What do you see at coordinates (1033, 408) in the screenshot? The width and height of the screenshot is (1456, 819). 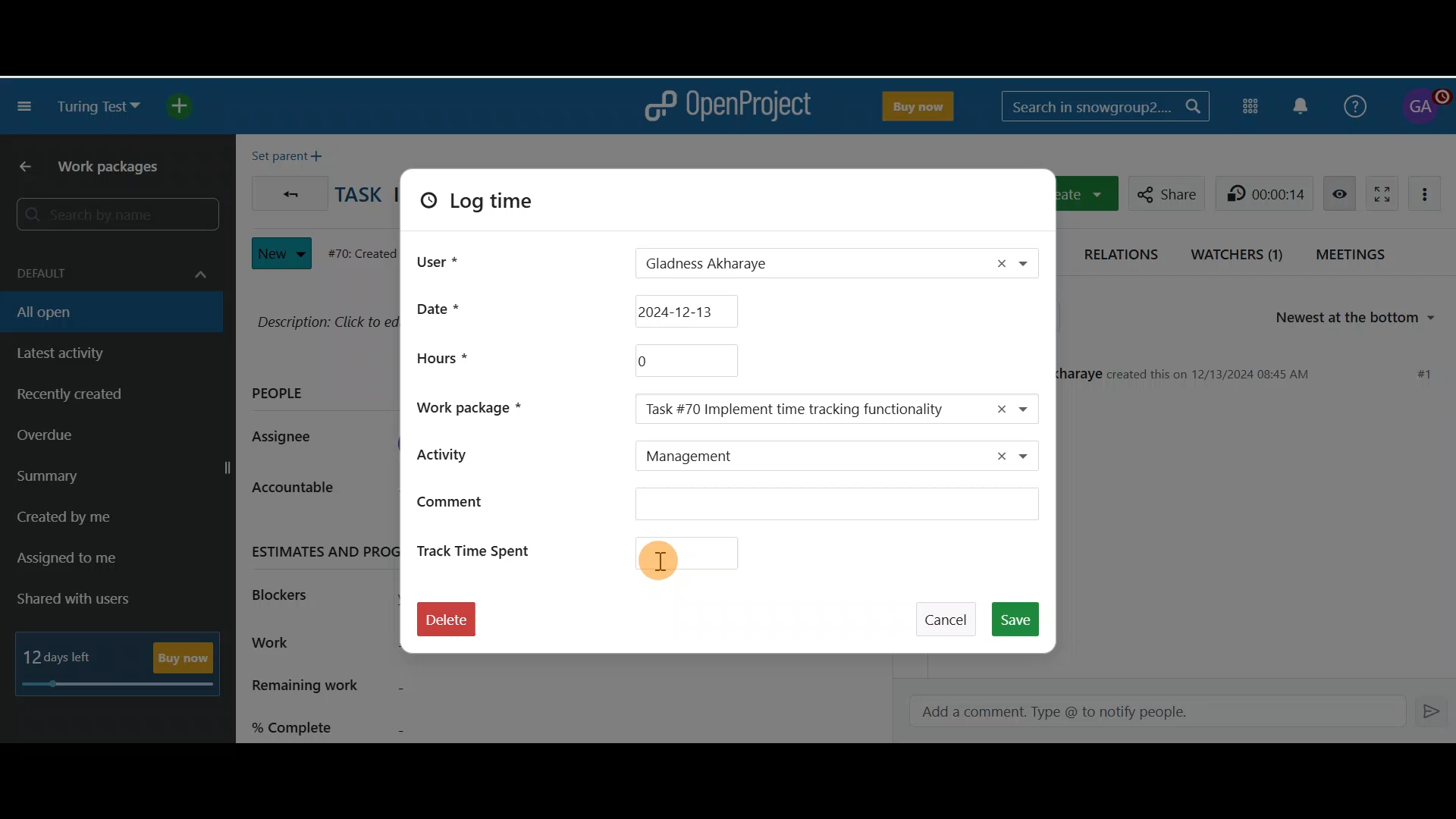 I see `Work package drop down` at bounding box center [1033, 408].